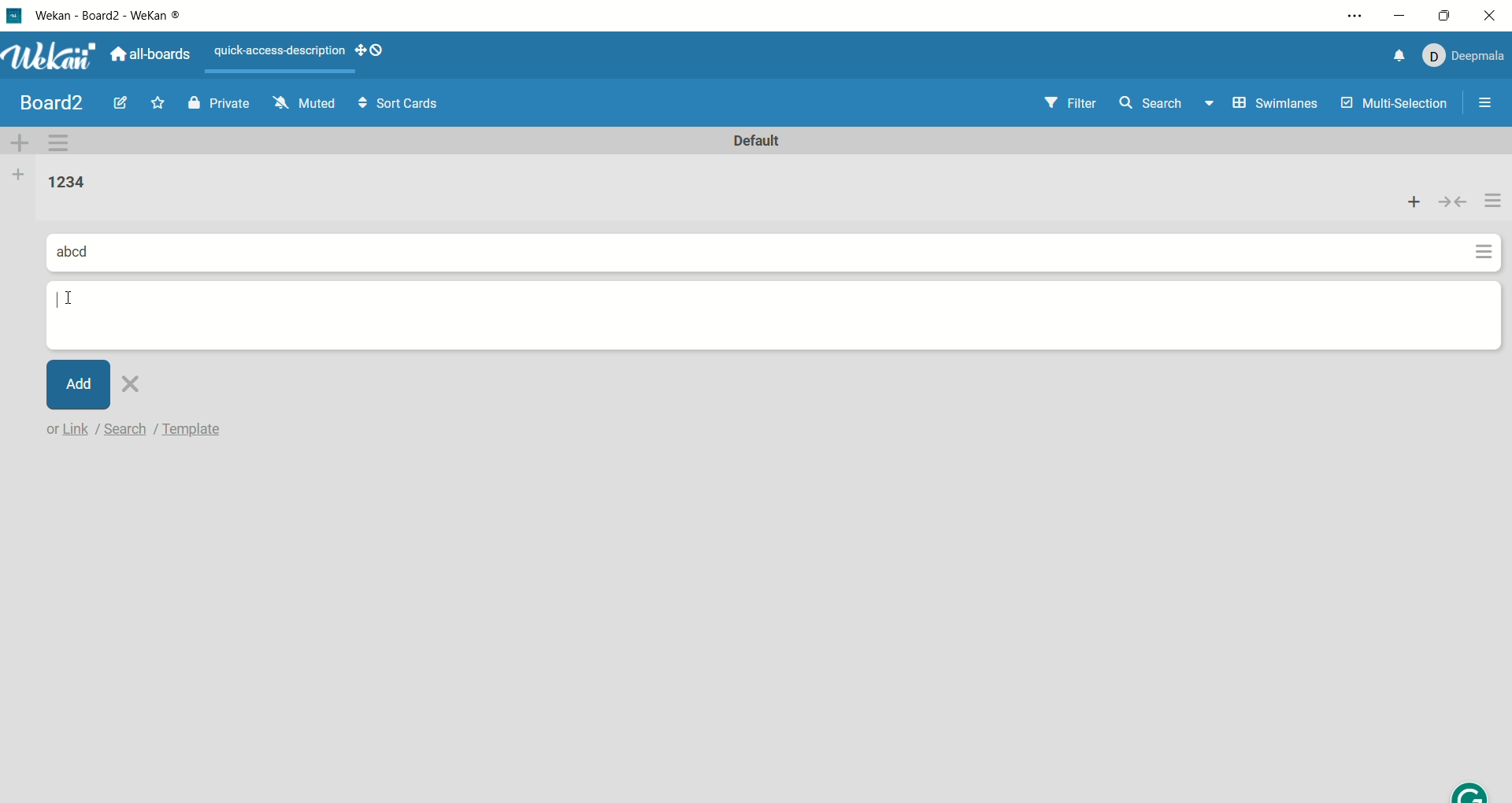 The height and width of the screenshot is (803, 1512). Describe the element at coordinates (57, 181) in the screenshot. I see `list title` at that location.